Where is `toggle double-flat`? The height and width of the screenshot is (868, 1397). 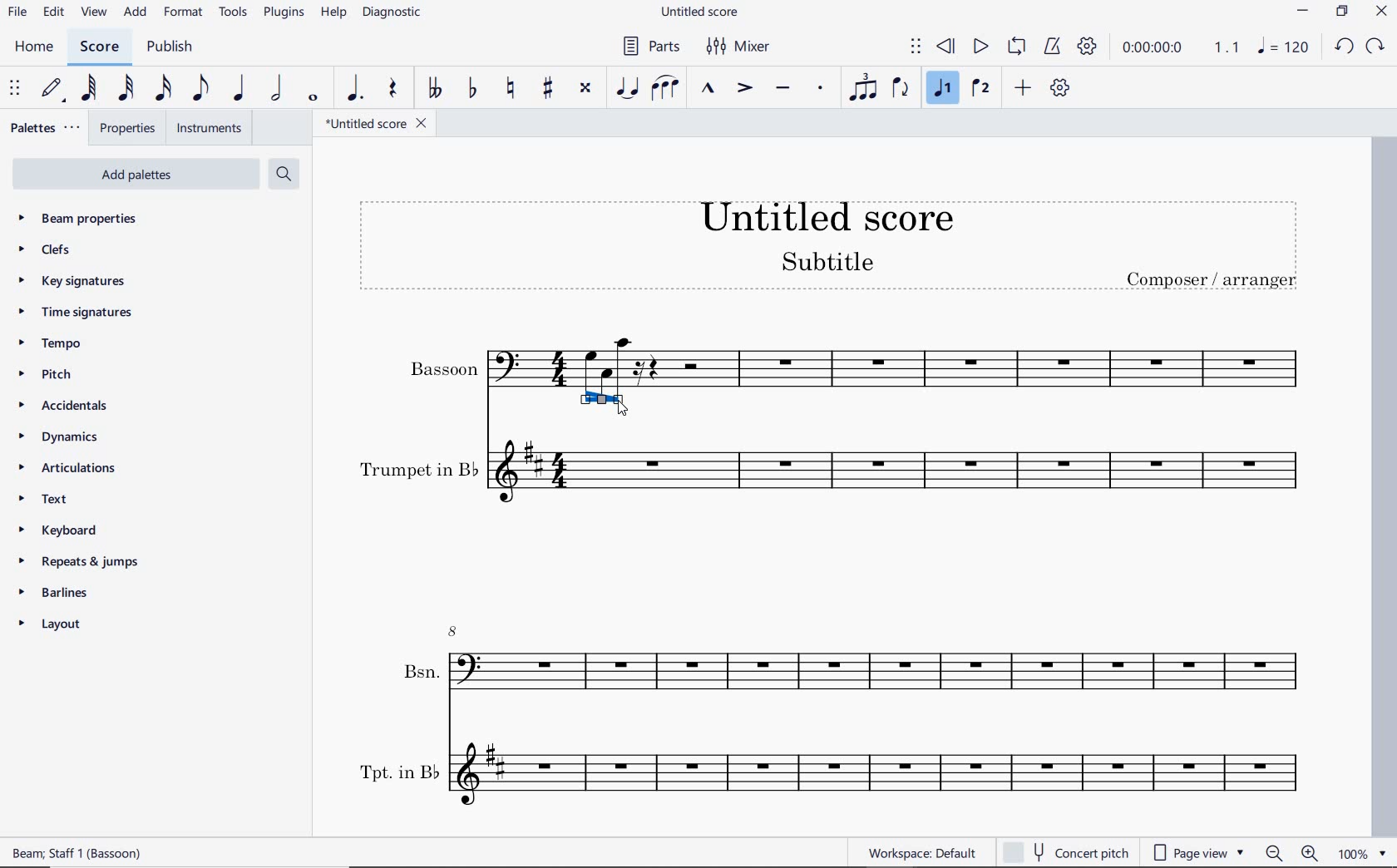
toggle double-flat is located at coordinates (435, 89).